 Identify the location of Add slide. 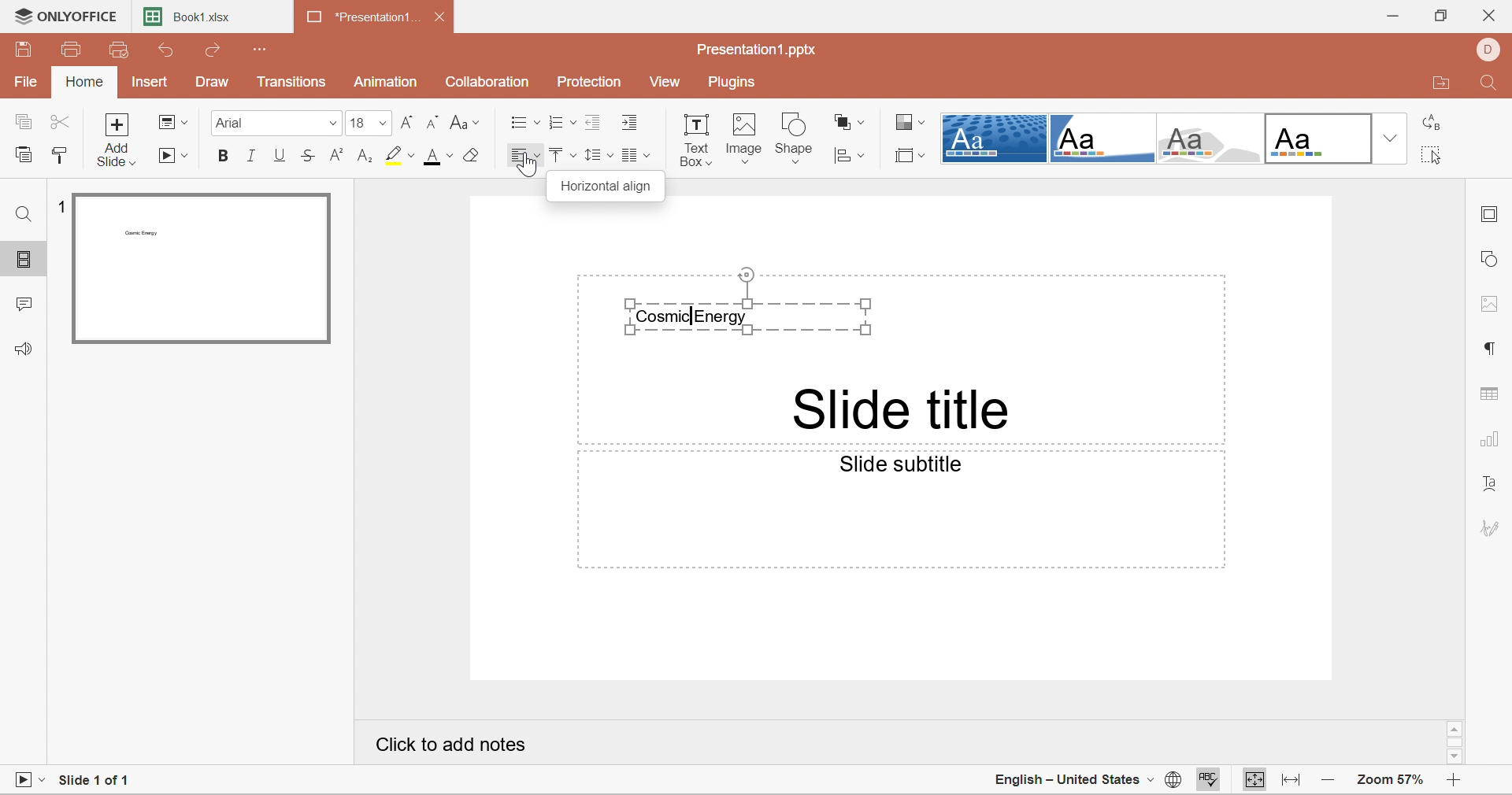
(120, 140).